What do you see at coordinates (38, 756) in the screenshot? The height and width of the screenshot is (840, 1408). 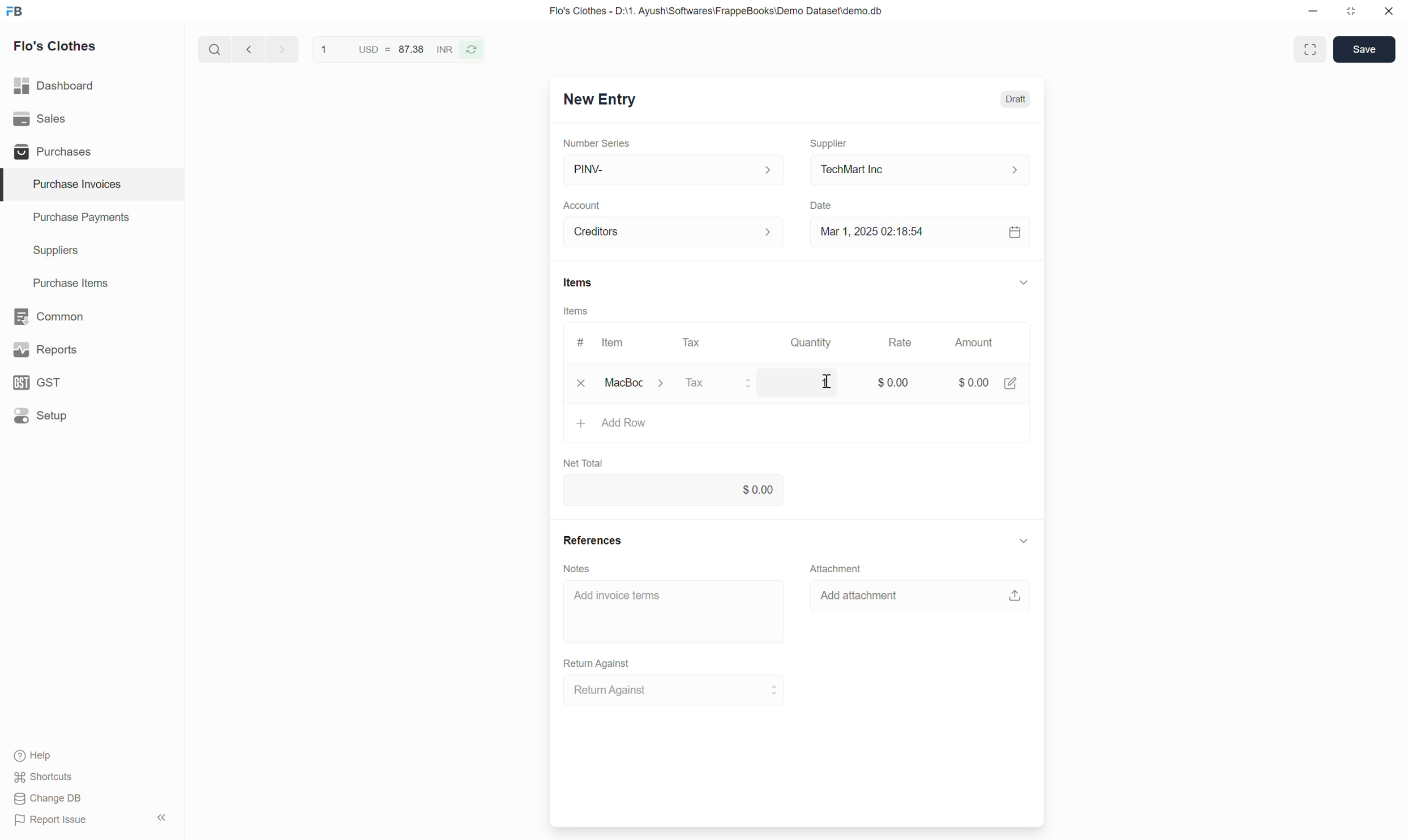 I see `Help` at bounding box center [38, 756].